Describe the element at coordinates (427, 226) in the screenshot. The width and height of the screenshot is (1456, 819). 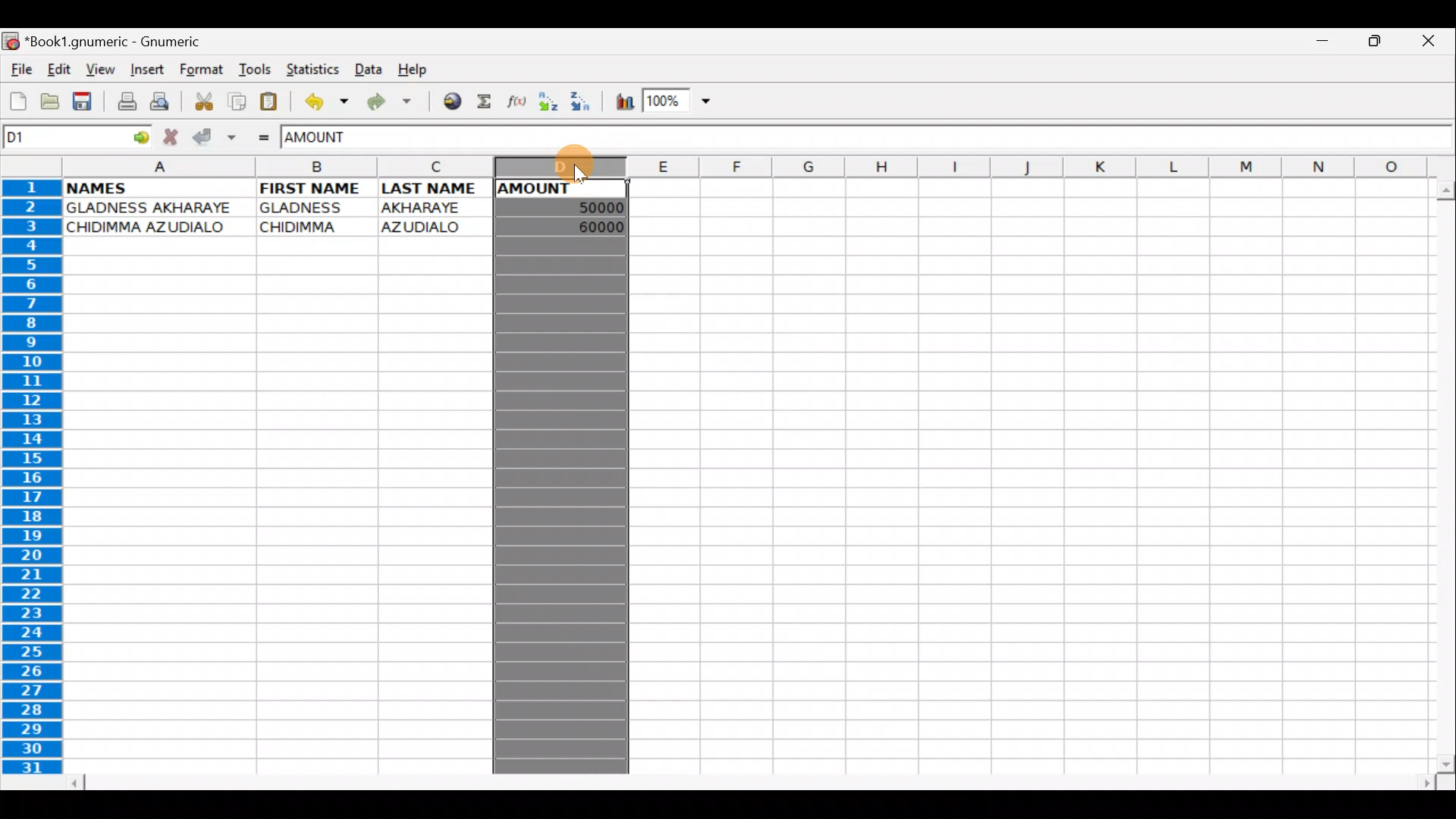
I see `AZUDIALO` at that location.